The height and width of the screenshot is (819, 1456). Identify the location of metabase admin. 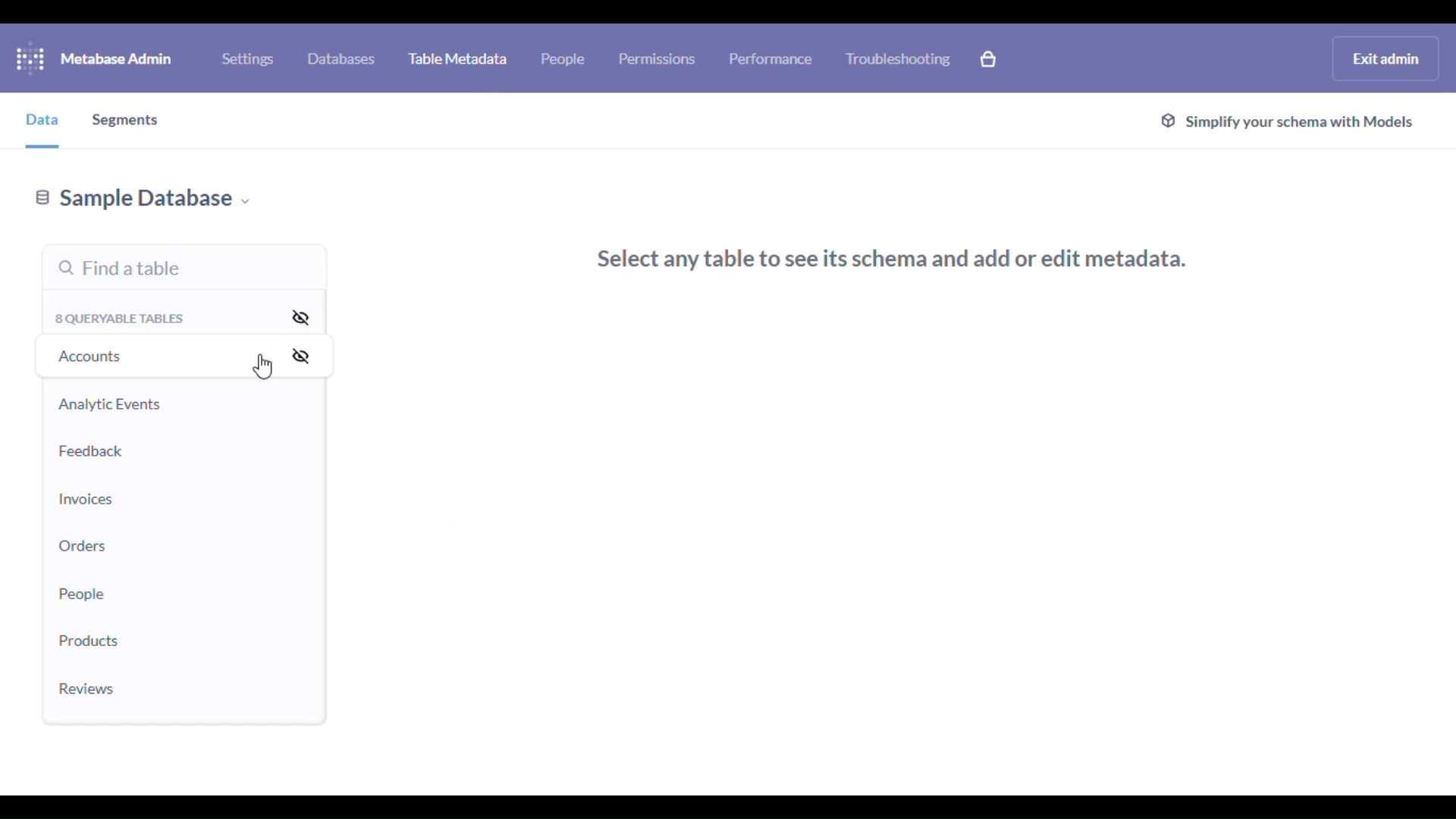
(117, 58).